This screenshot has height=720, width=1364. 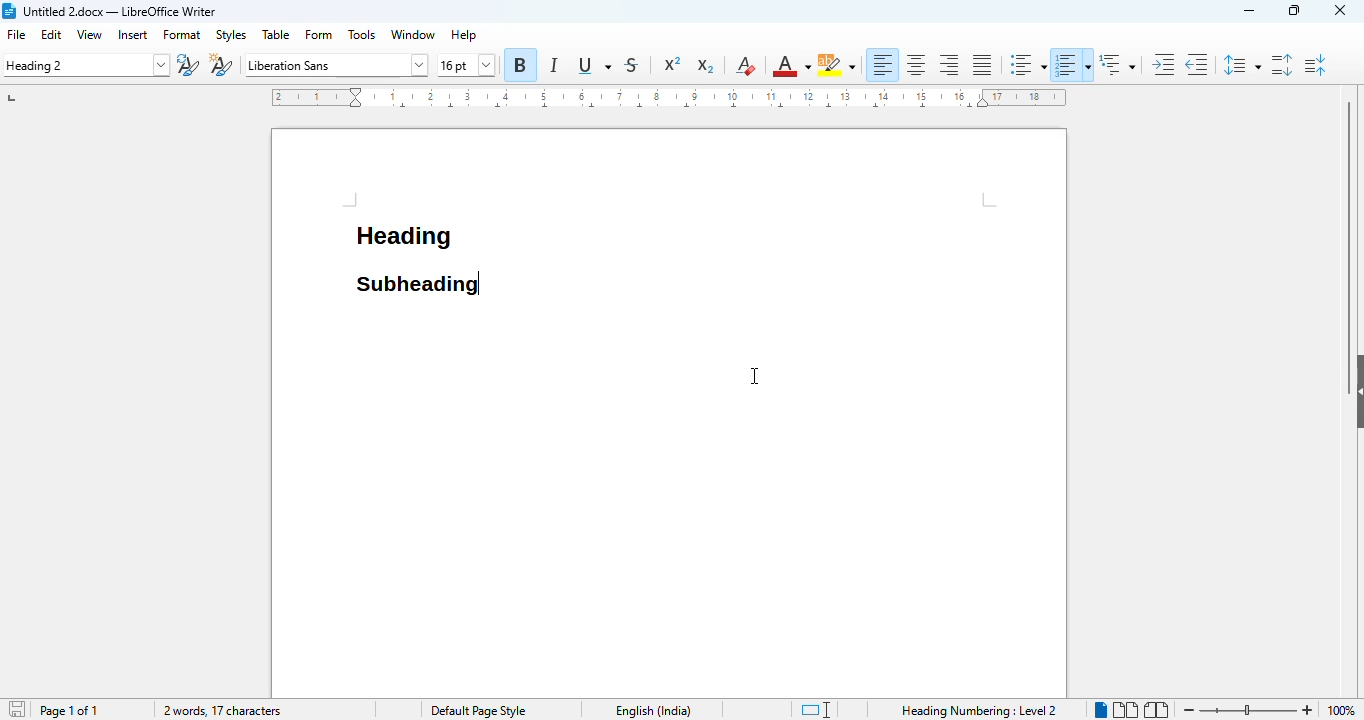 I want to click on multi-page view, so click(x=1125, y=709).